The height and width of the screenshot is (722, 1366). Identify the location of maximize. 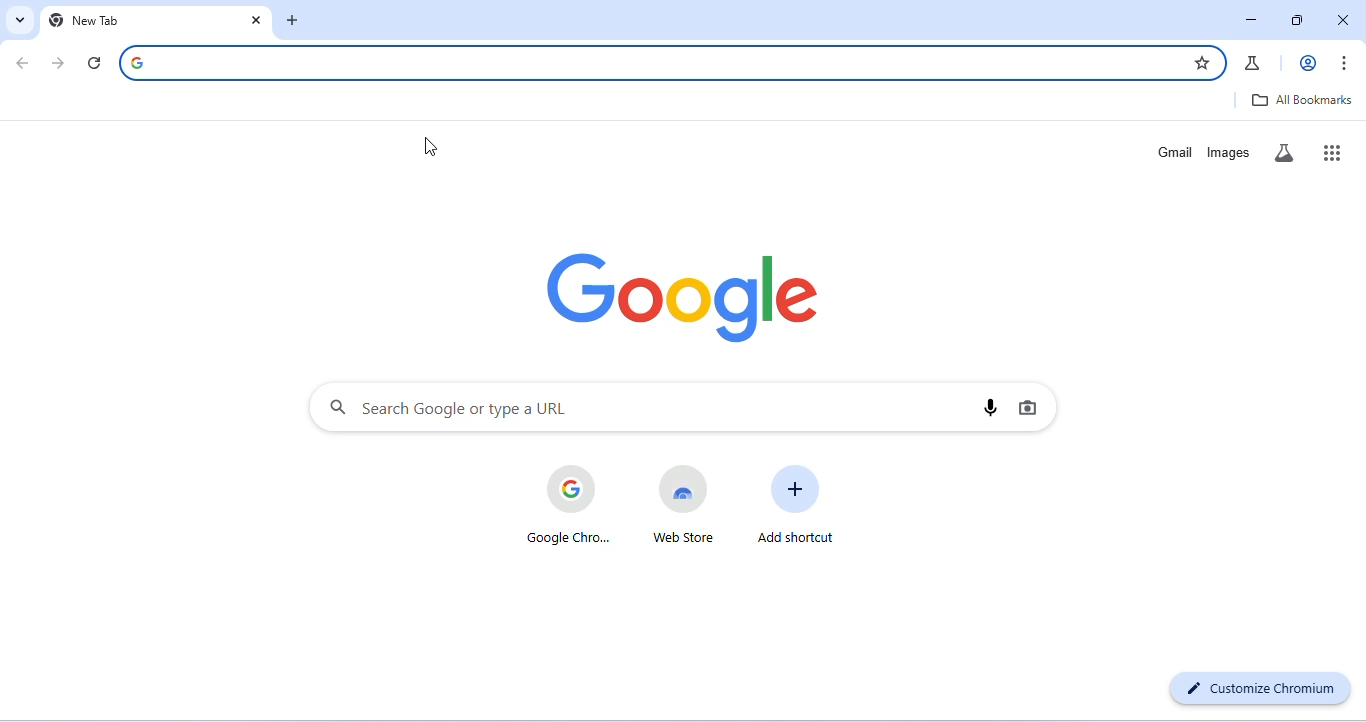
(1299, 20).